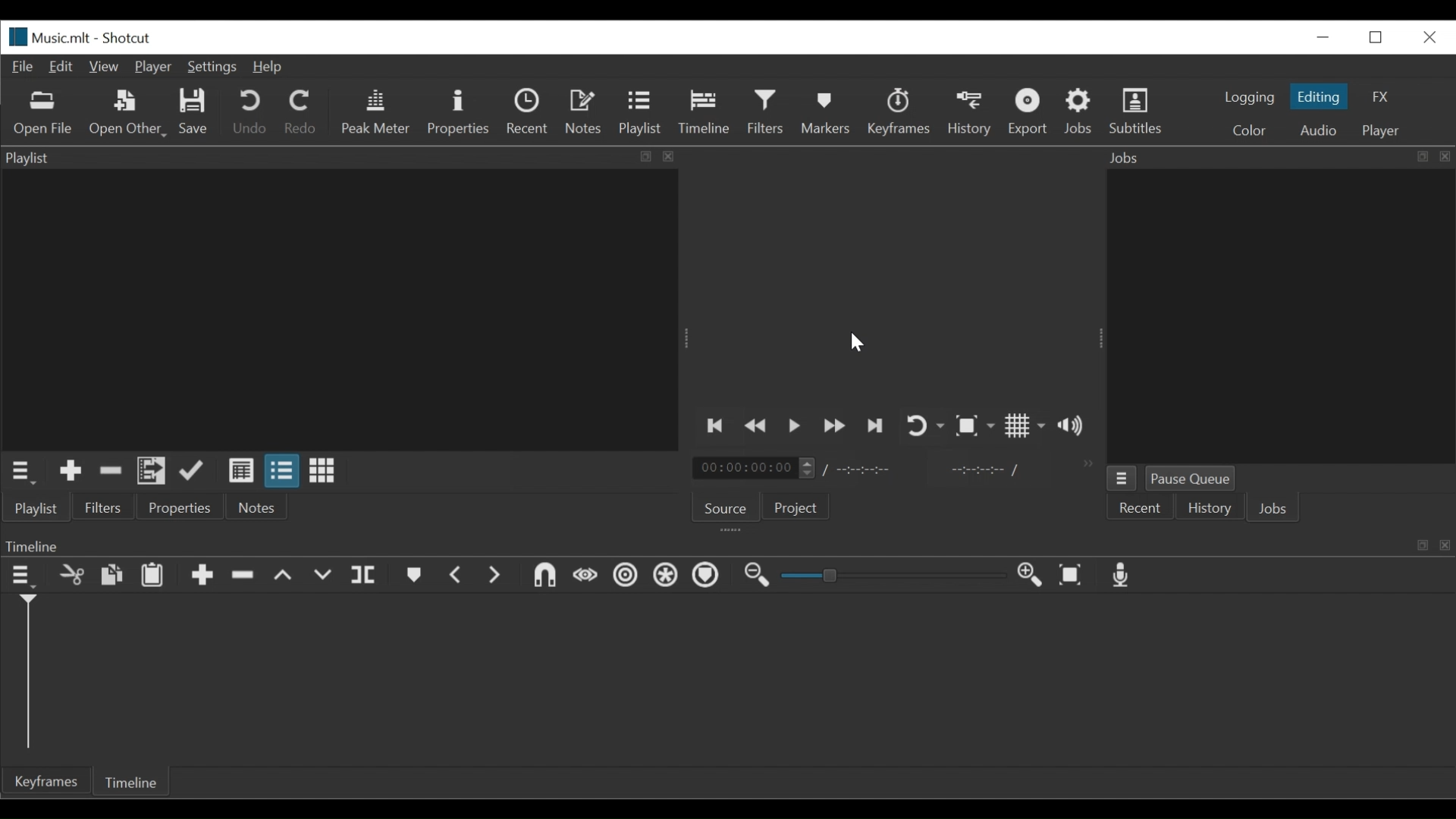 The width and height of the screenshot is (1456, 819). What do you see at coordinates (726, 508) in the screenshot?
I see `Source` at bounding box center [726, 508].